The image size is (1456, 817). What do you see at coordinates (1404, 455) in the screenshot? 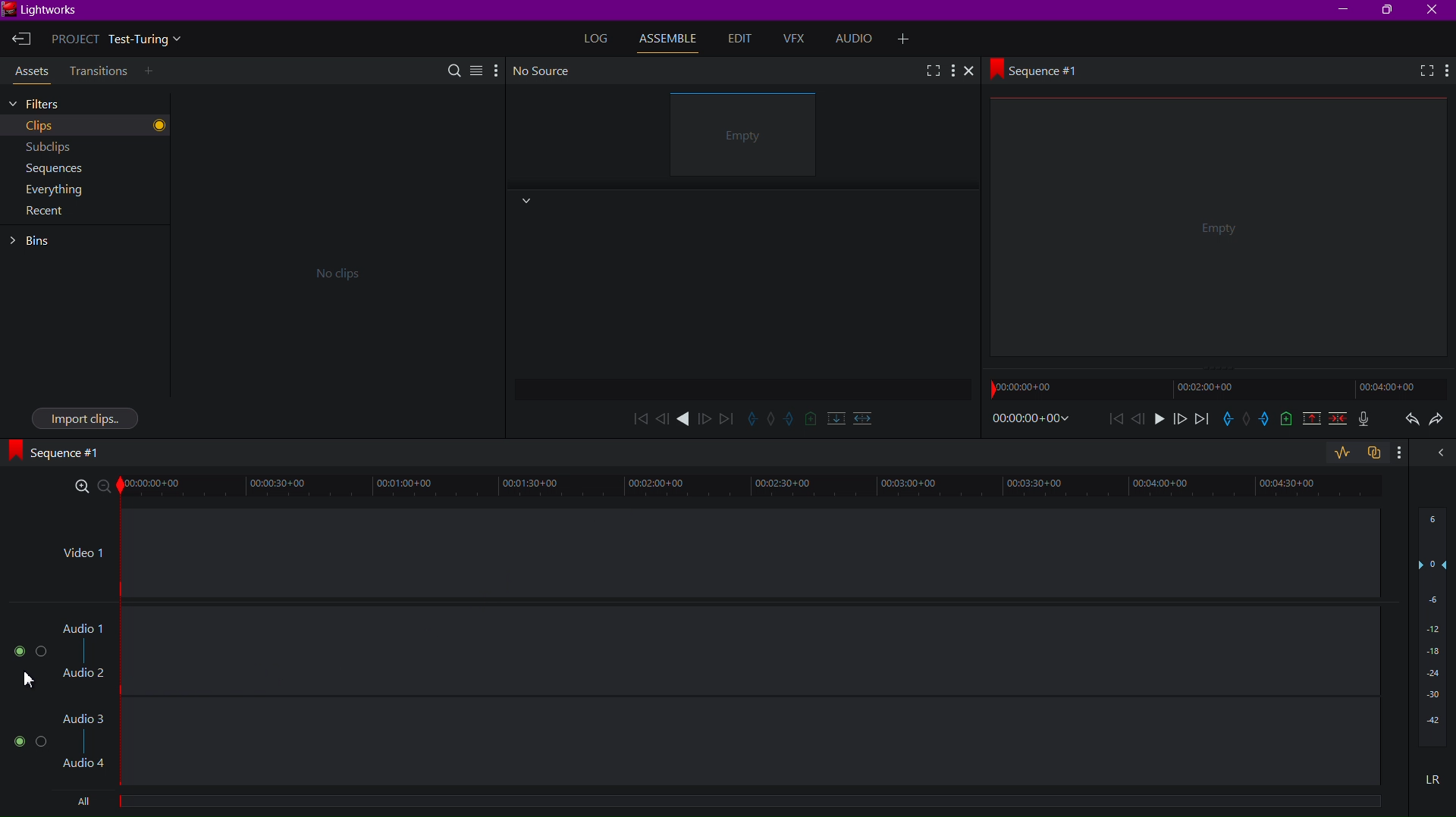
I see `More` at bounding box center [1404, 455].